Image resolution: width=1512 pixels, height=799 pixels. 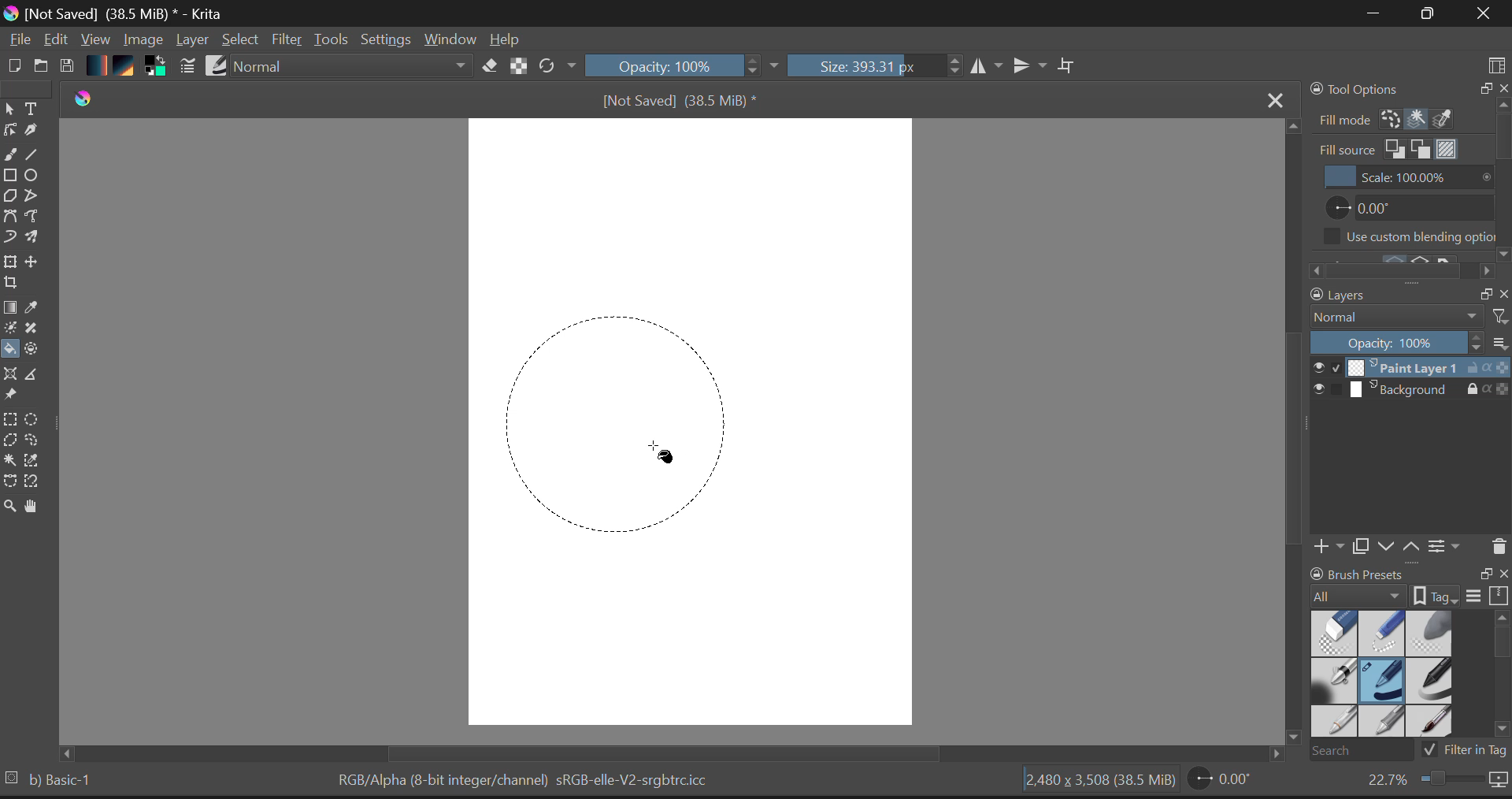 What do you see at coordinates (387, 40) in the screenshot?
I see `Settings` at bounding box center [387, 40].